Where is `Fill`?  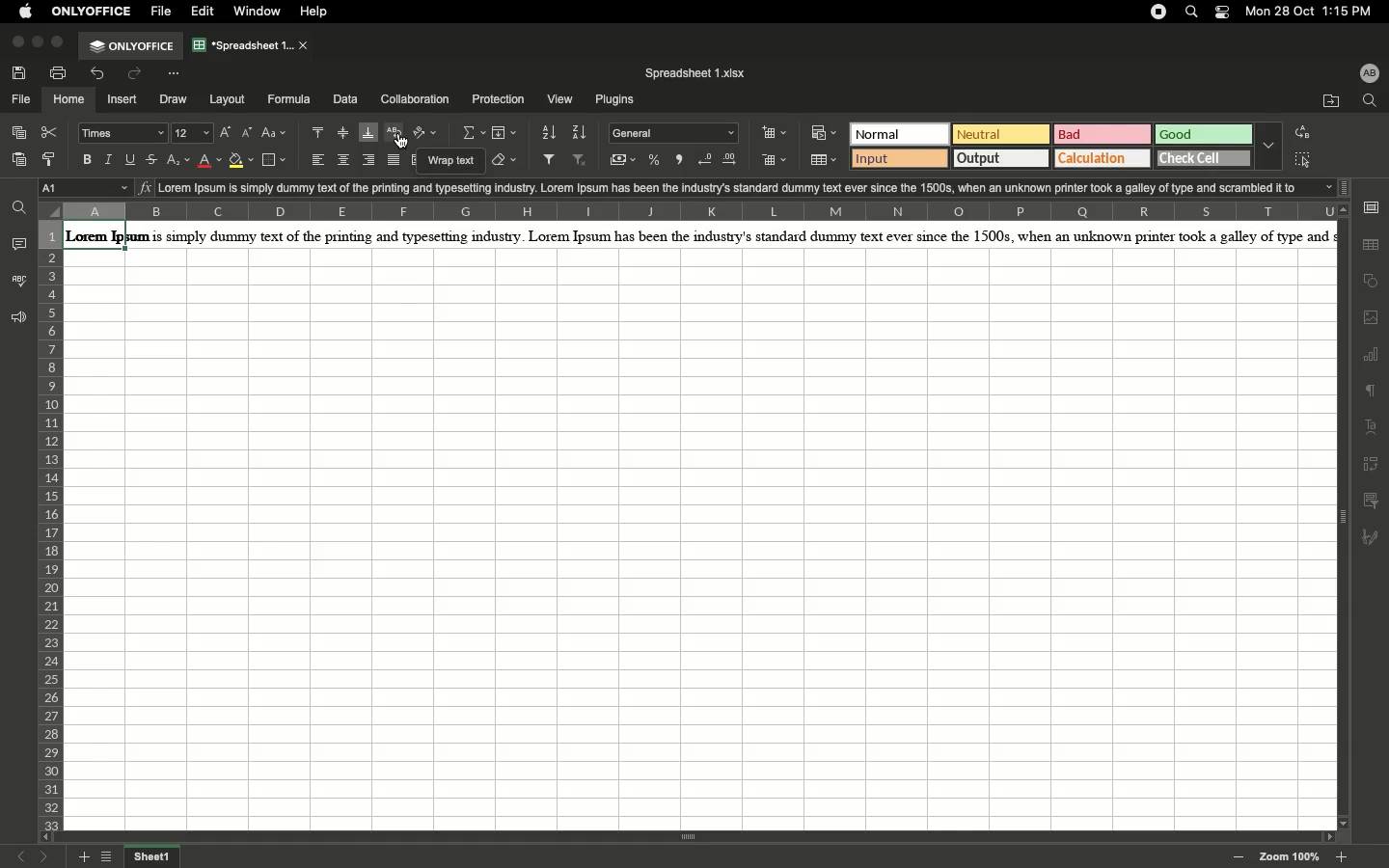 Fill is located at coordinates (505, 134).